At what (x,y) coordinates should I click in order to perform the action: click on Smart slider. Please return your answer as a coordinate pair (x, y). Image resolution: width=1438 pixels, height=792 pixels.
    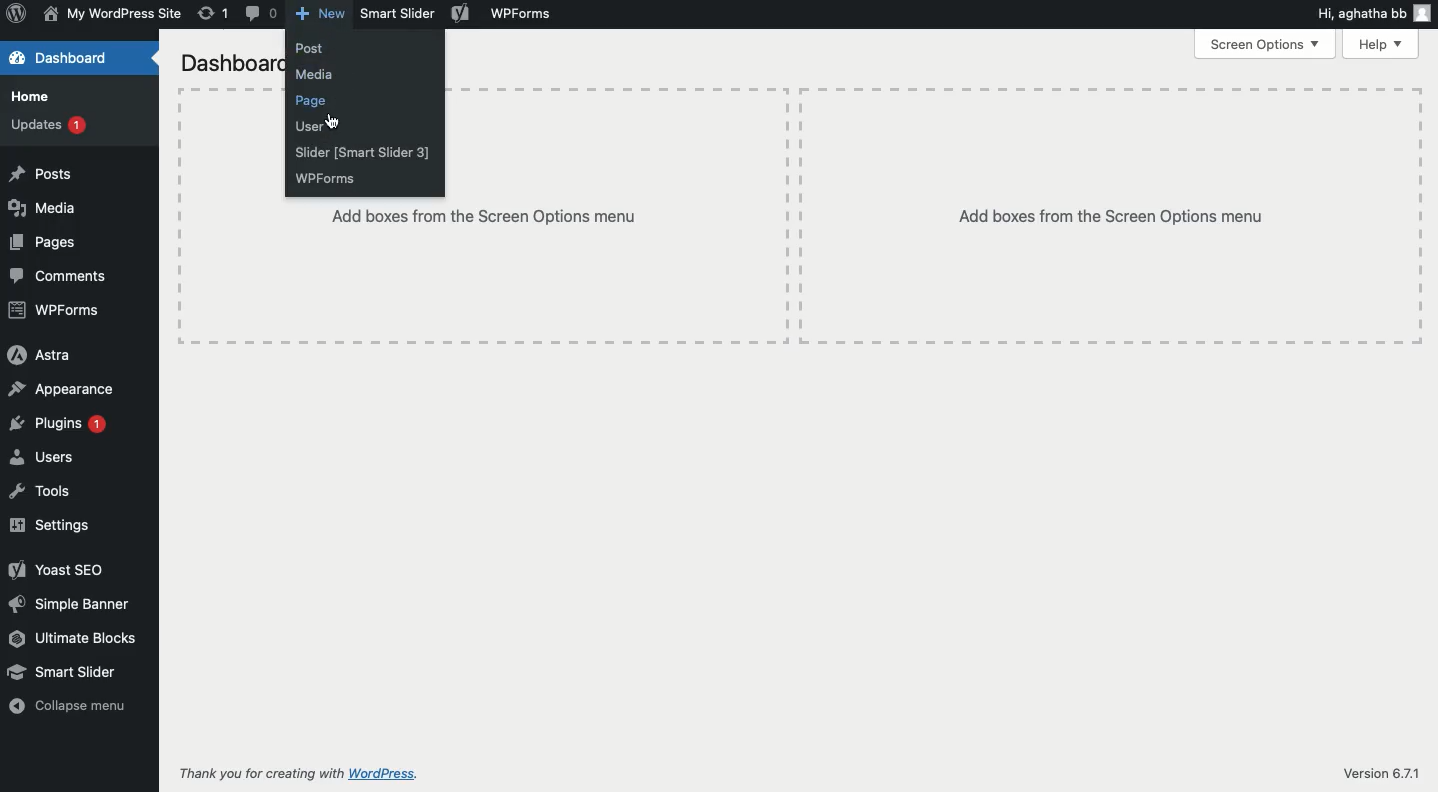
    Looking at the image, I should click on (62, 674).